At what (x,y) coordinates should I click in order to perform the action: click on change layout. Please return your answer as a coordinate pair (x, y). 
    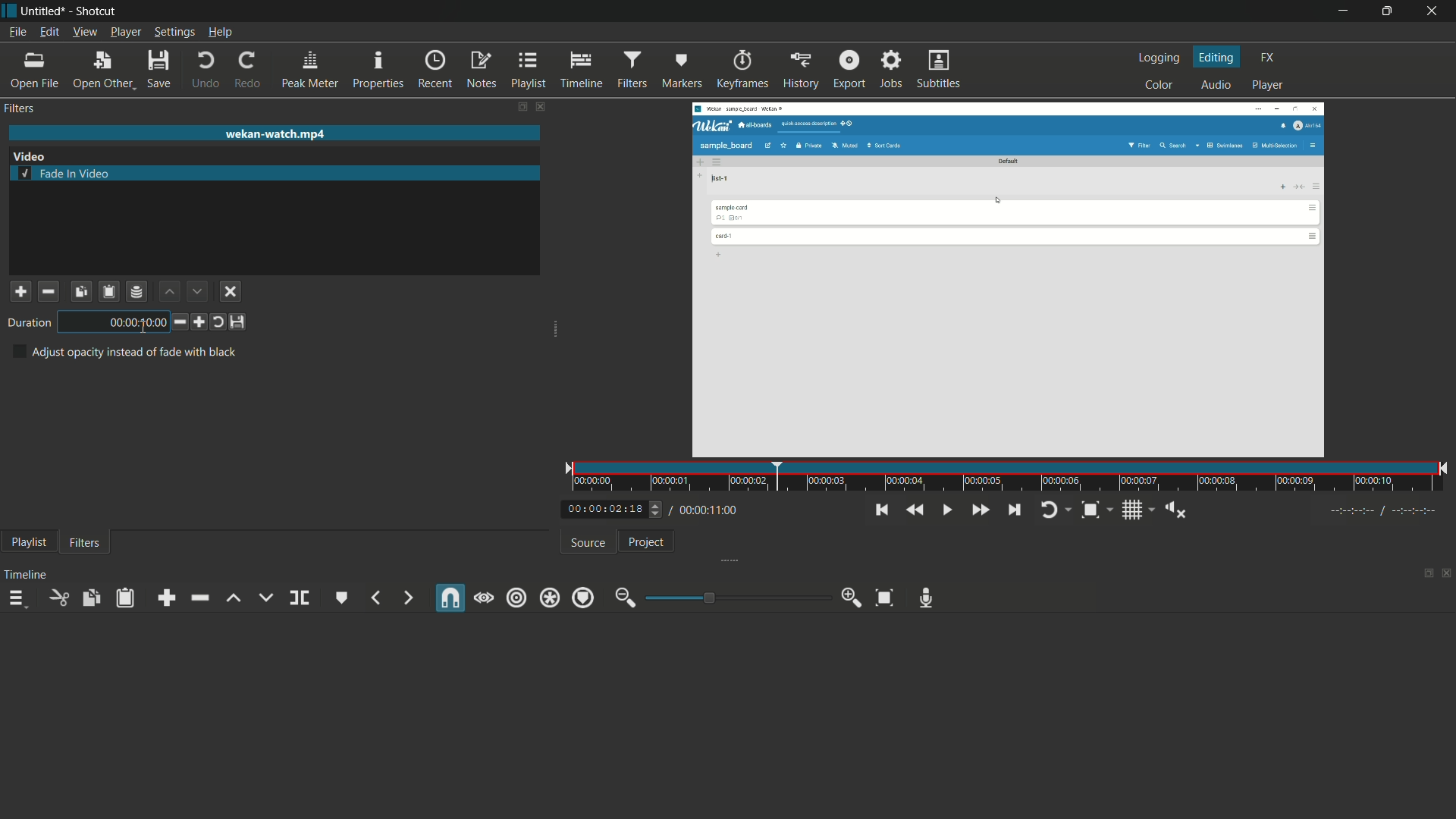
    Looking at the image, I should click on (519, 107).